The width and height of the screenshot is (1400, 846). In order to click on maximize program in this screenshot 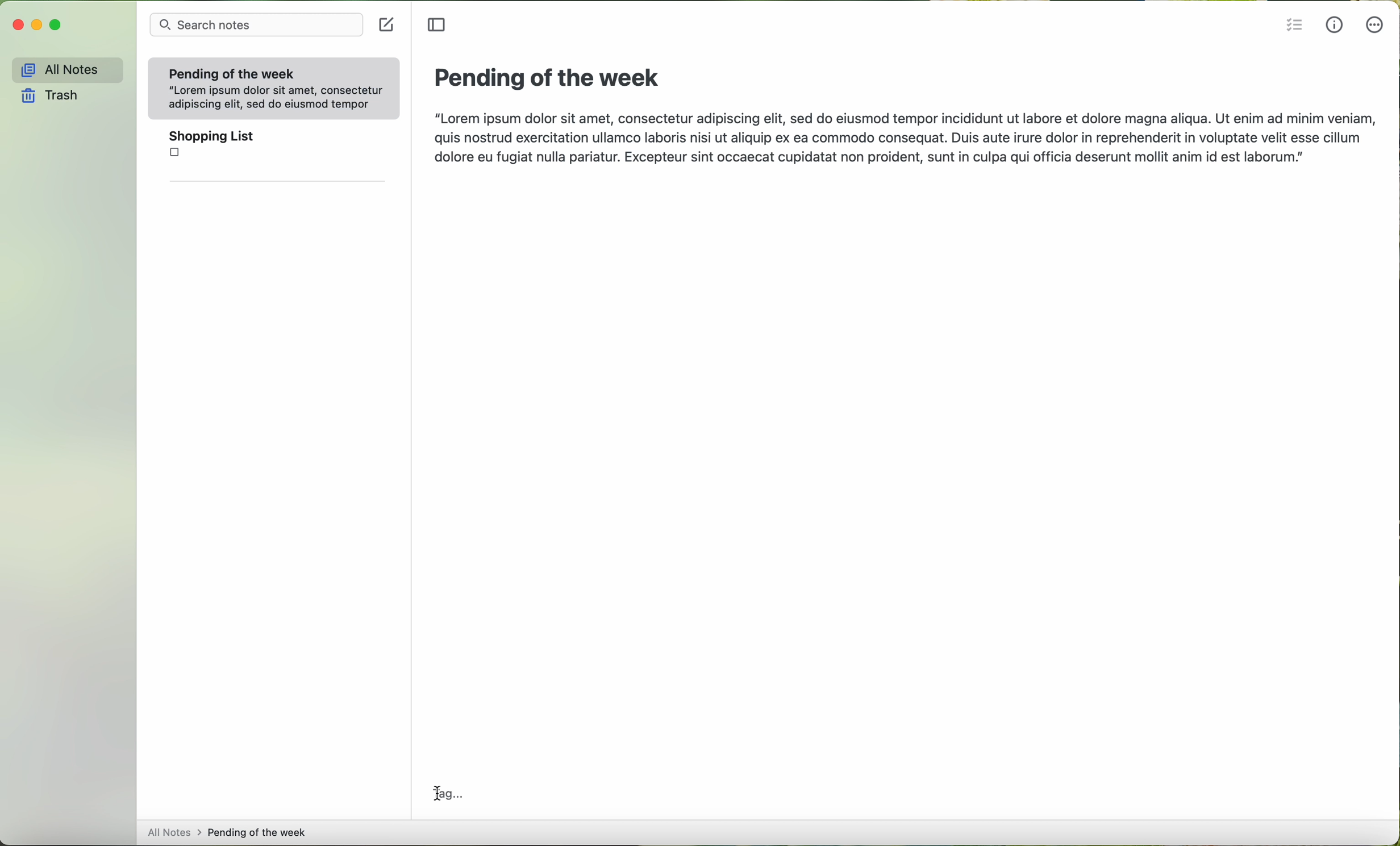, I will do `click(55, 25)`.